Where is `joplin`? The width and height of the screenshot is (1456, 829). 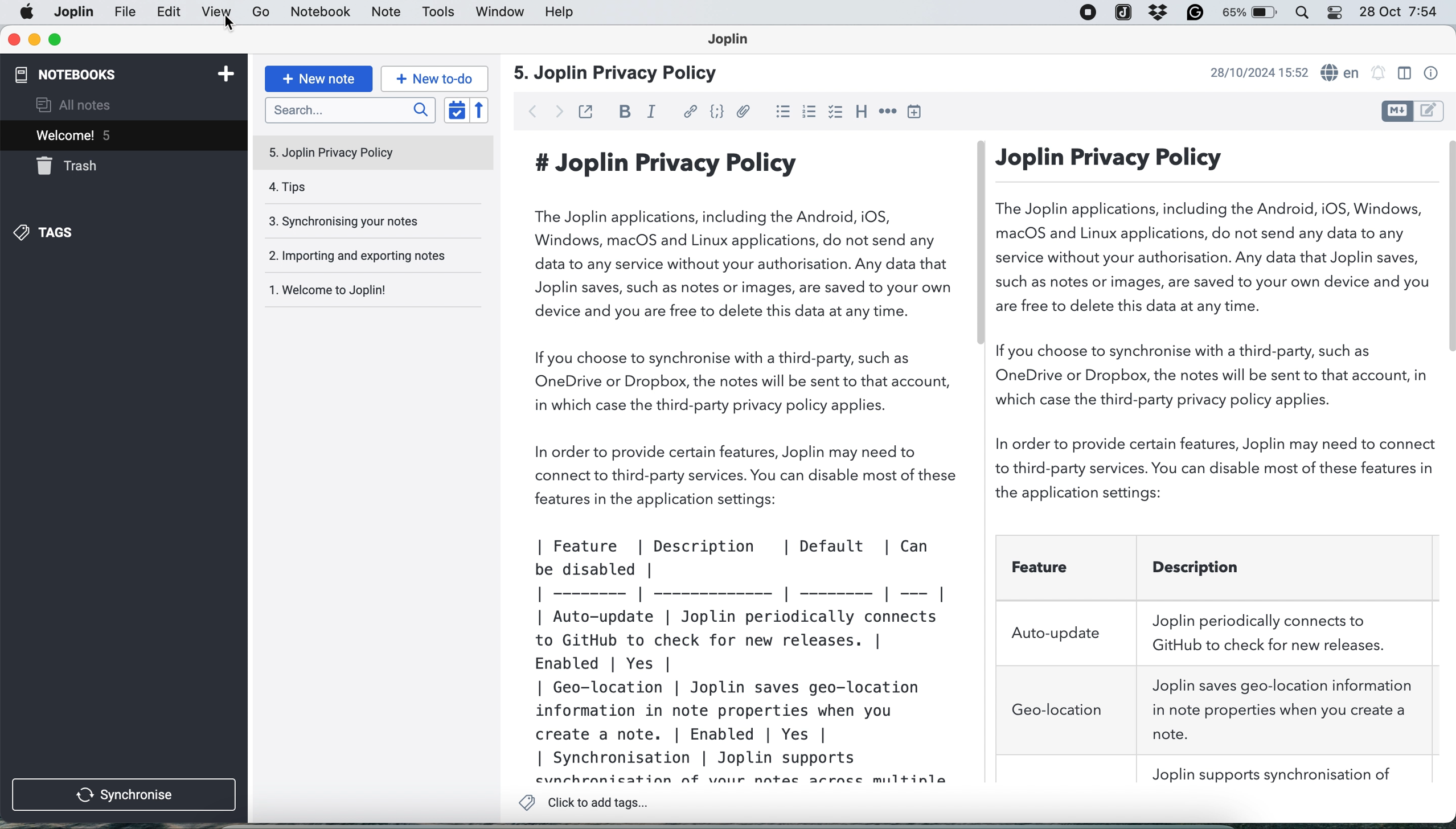
joplin is located at coordinates (126, 13).